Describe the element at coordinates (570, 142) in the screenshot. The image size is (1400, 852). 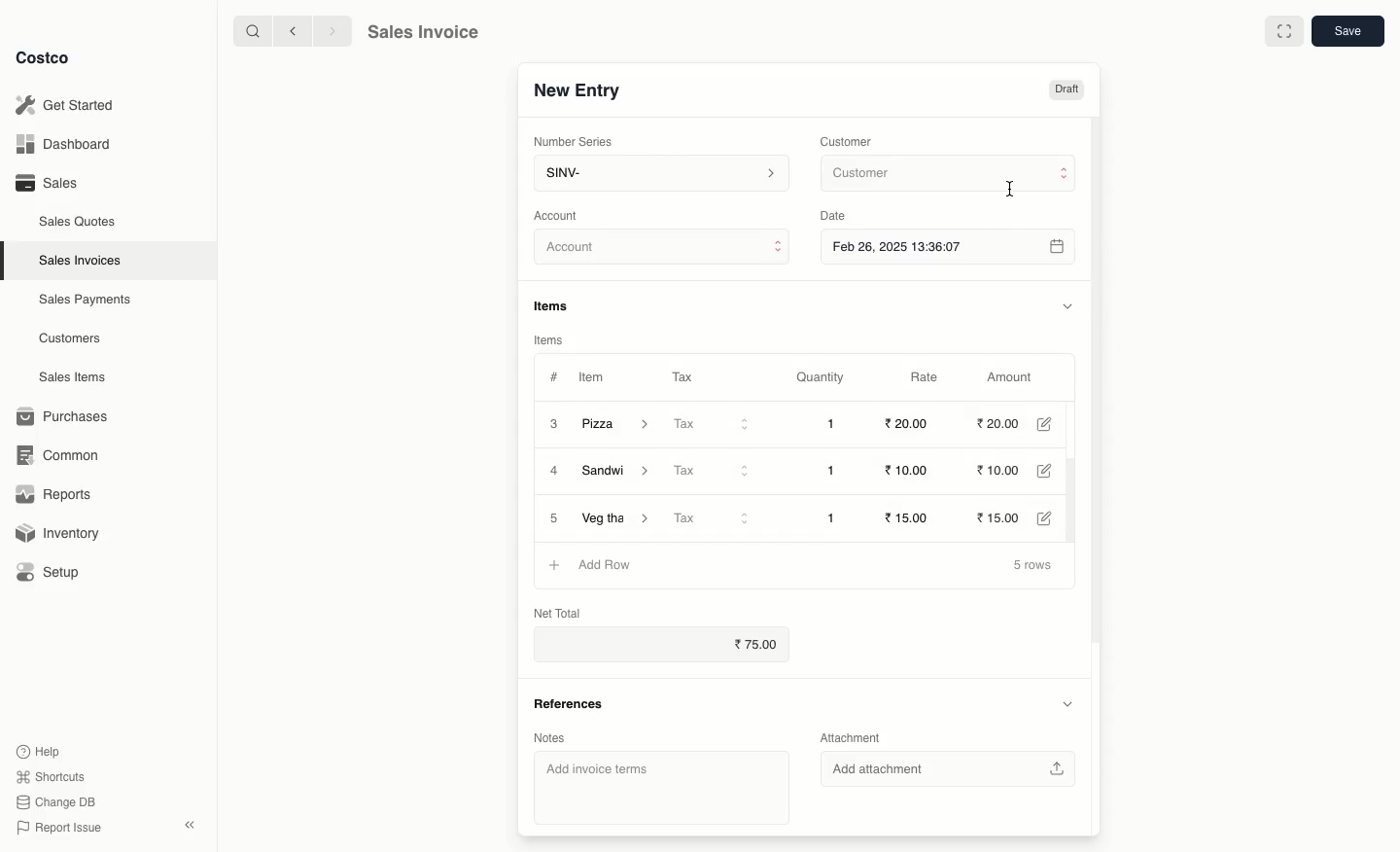
I see `‘Number Series` at that location.